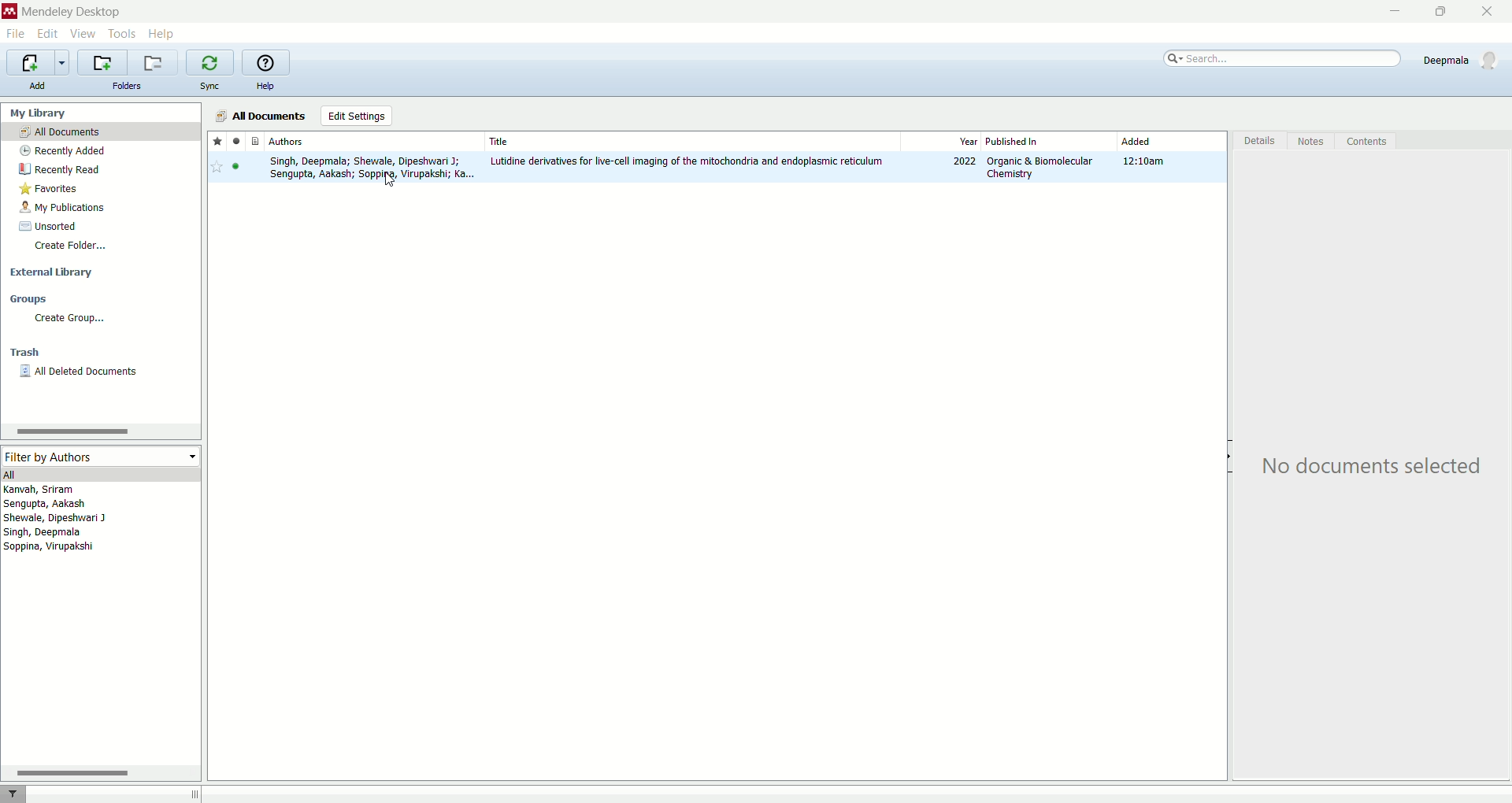 This screenshot has height=803, width=1512. Describe the element at coordinates (9, 12) in the screenshot. I see `logo` at that location.